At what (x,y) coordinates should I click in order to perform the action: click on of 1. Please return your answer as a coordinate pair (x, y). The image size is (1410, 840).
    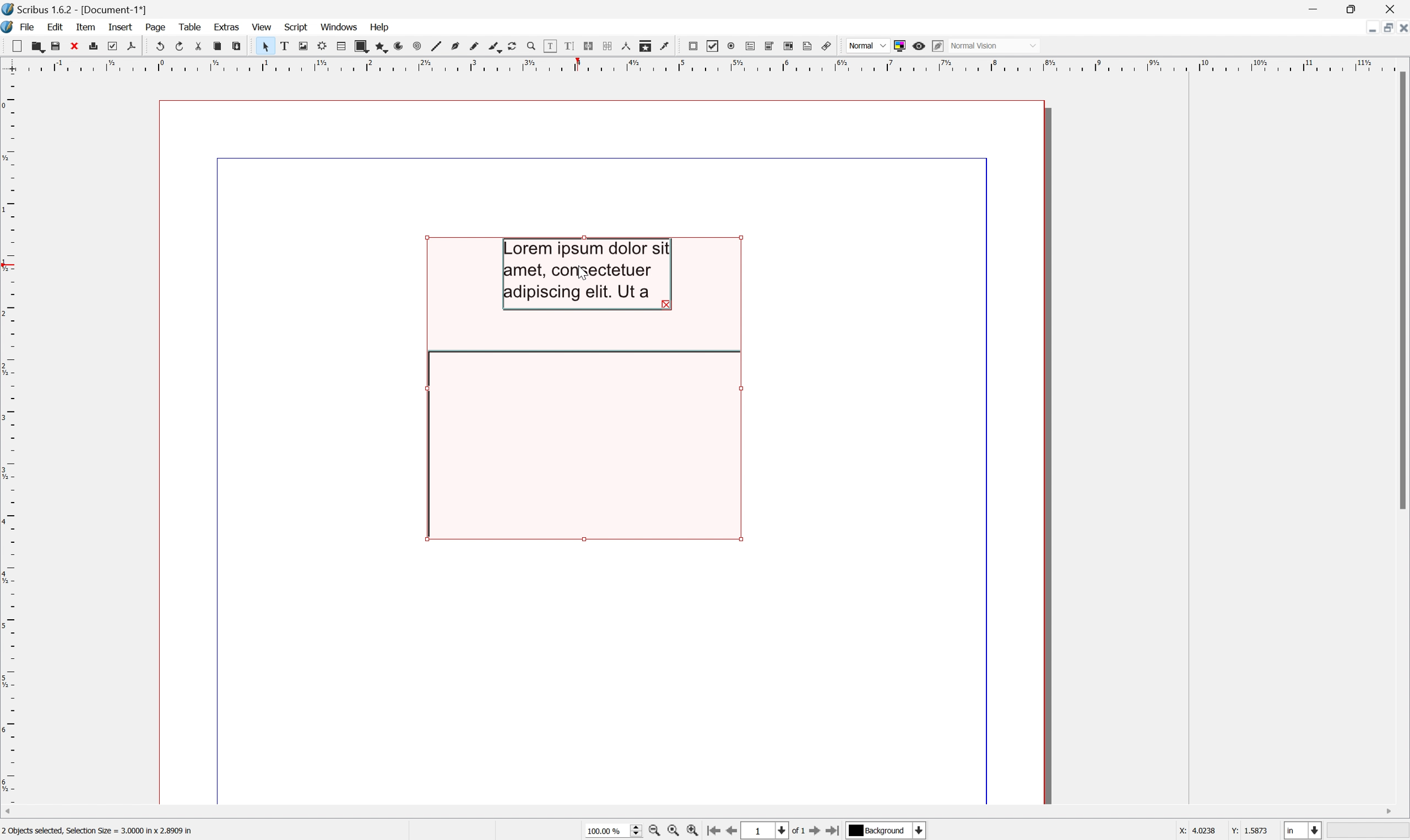
    Looking at the image, I should click on (796, 832).